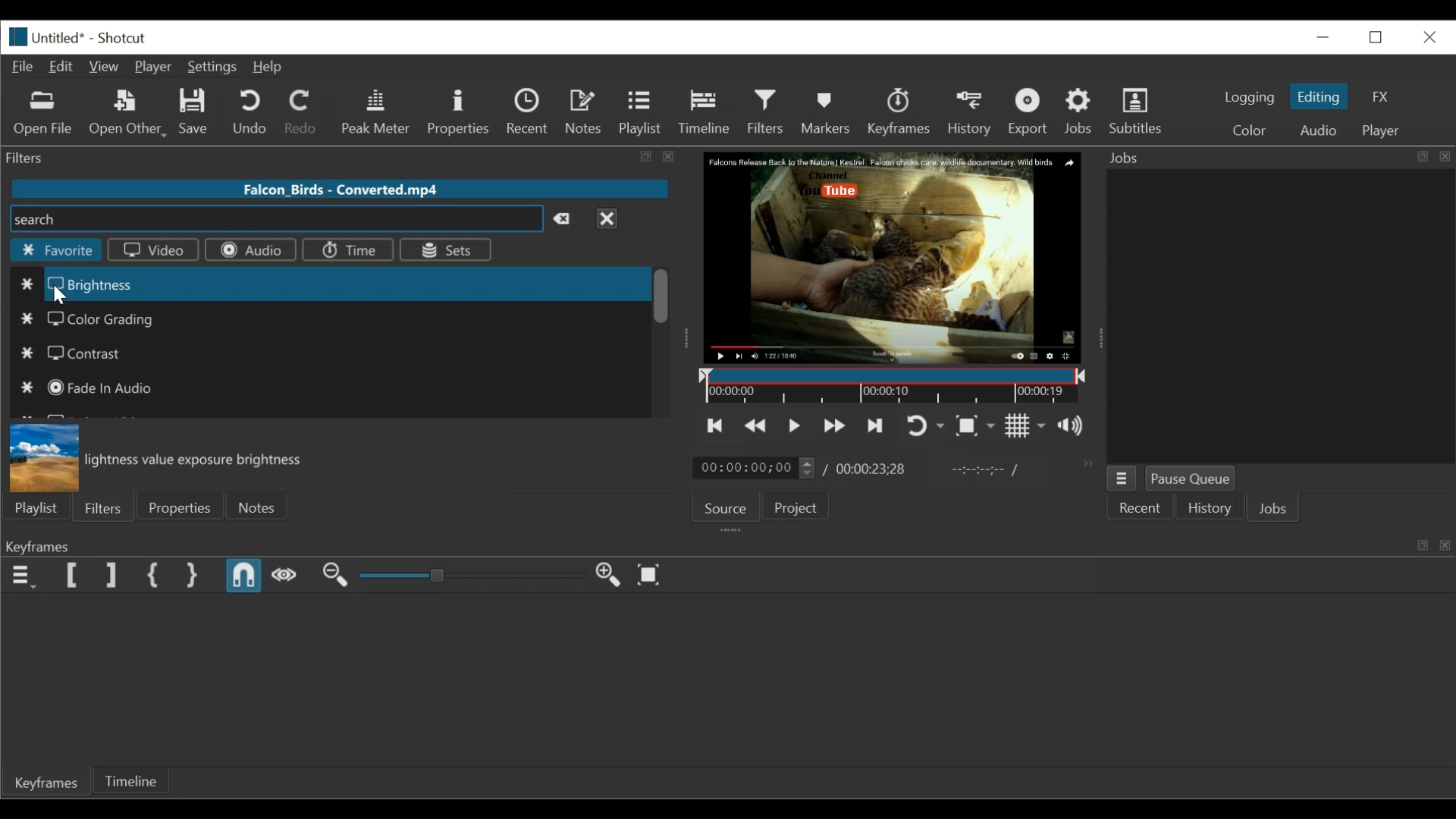 This screenshot has height=819, width=1456. I want to click on Recent, so click(529, 112).